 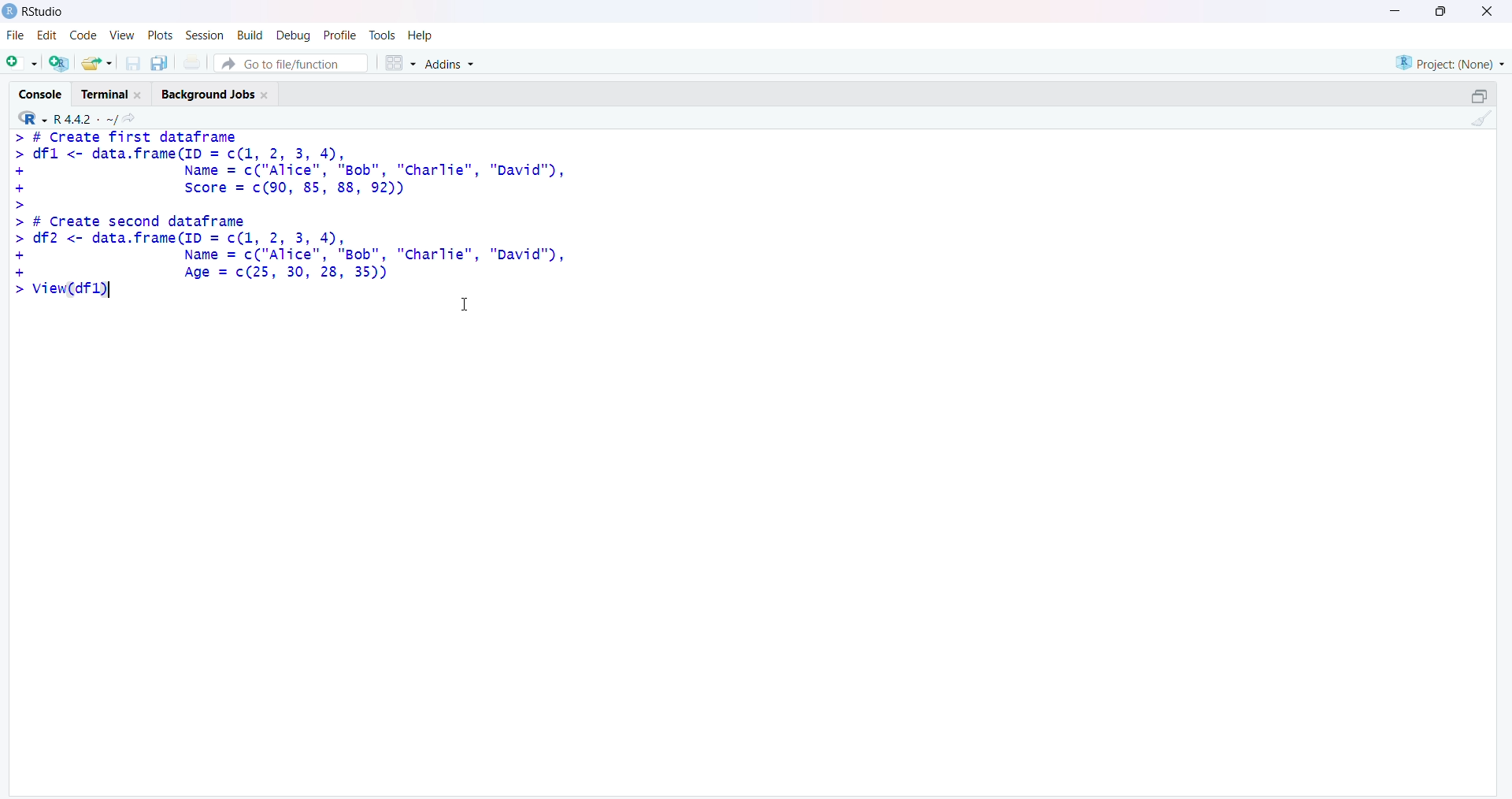 What do you see at coordinates (1443, 11) in the screenshot?
I see `maximize` at bounding box center [1443, 11].